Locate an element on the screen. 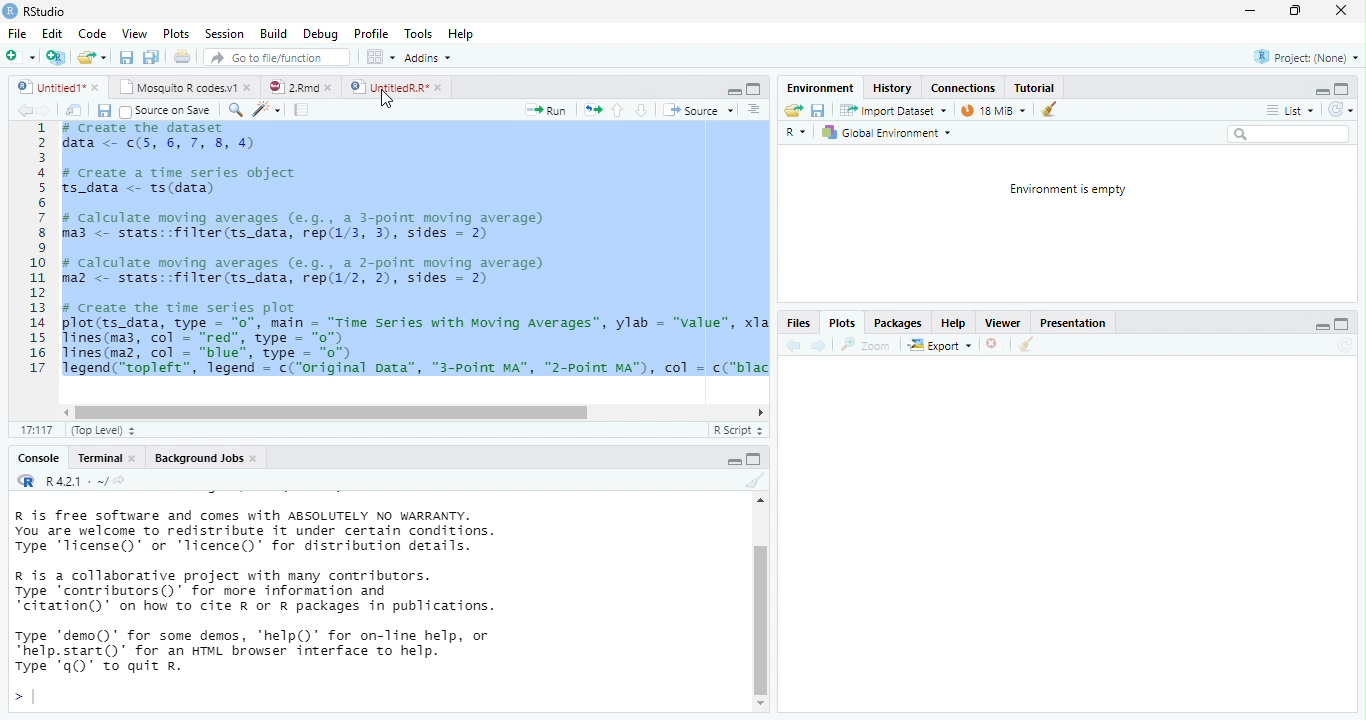  Tutorial is located at coordinates (1035, 87).